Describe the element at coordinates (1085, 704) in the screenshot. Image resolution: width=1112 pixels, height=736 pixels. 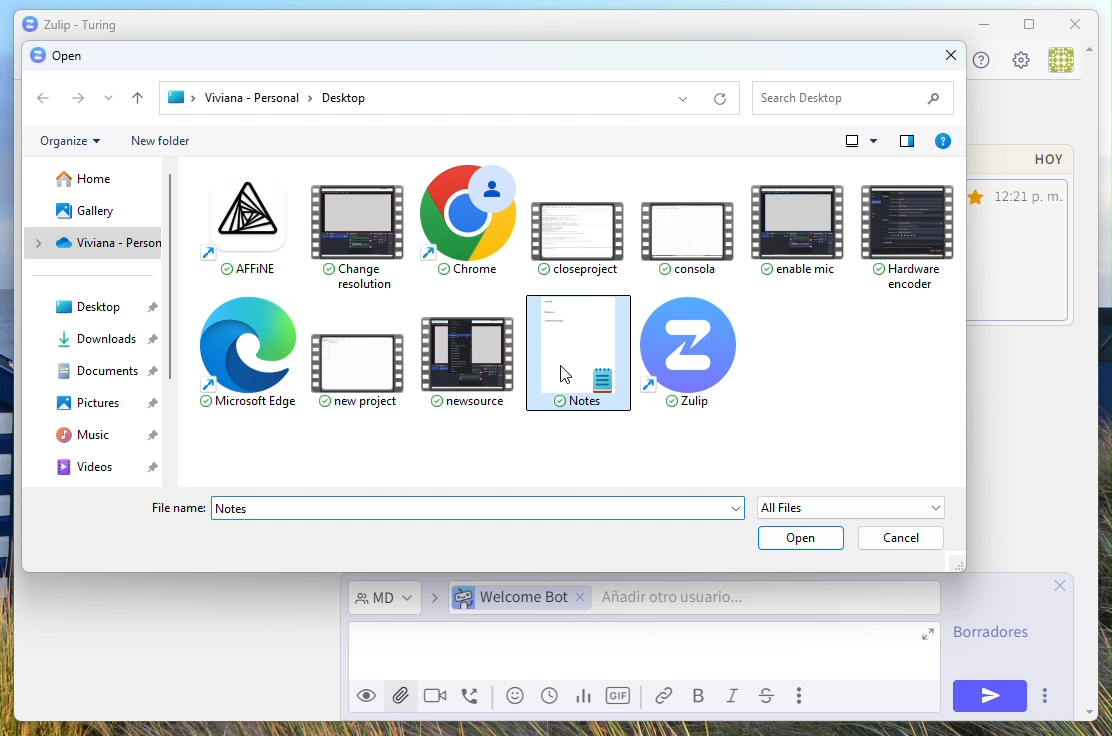
I see `page down` at that location.